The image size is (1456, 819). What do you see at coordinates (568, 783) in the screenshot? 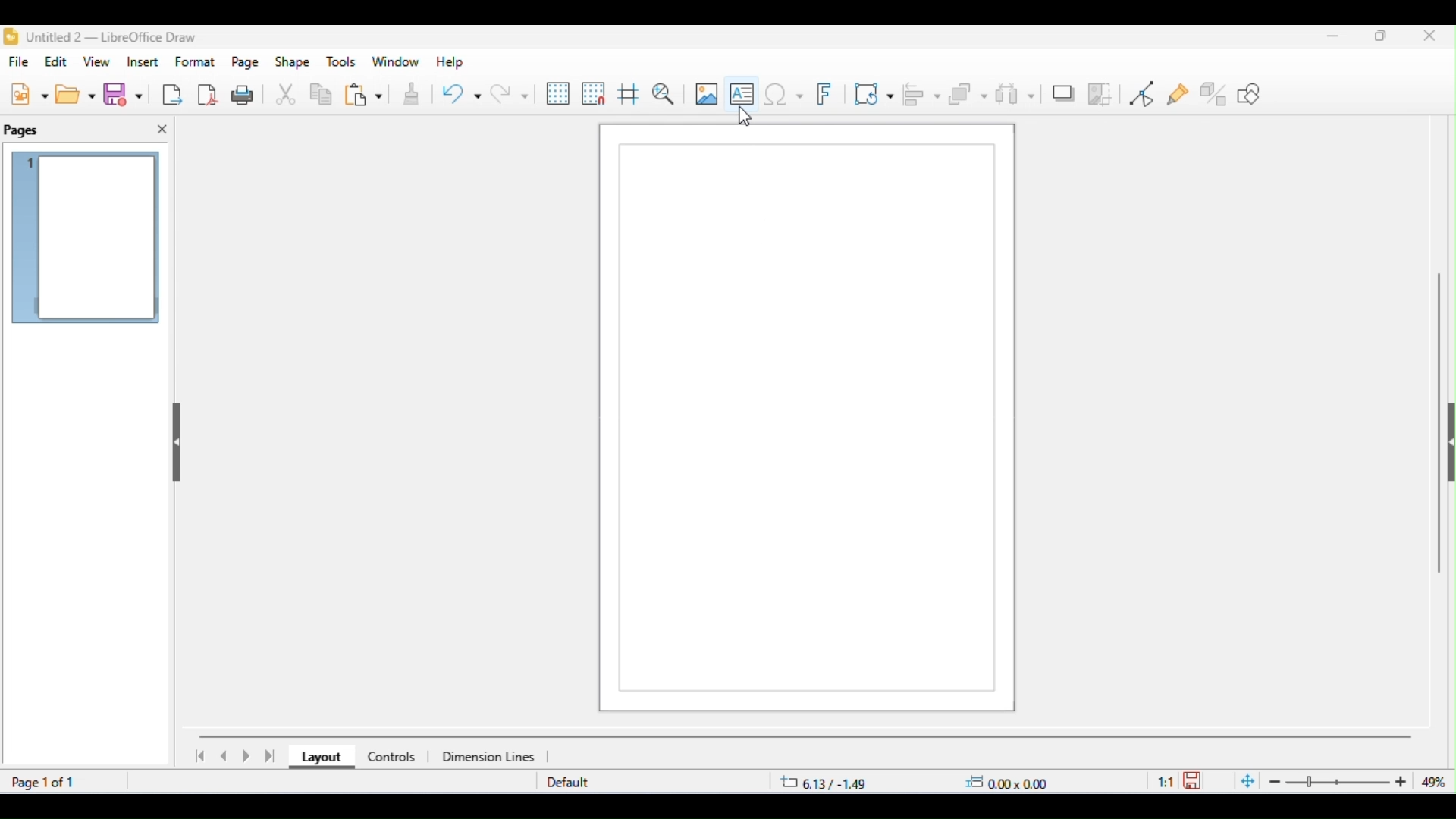
I see `default` at bounding box center [568, 783].